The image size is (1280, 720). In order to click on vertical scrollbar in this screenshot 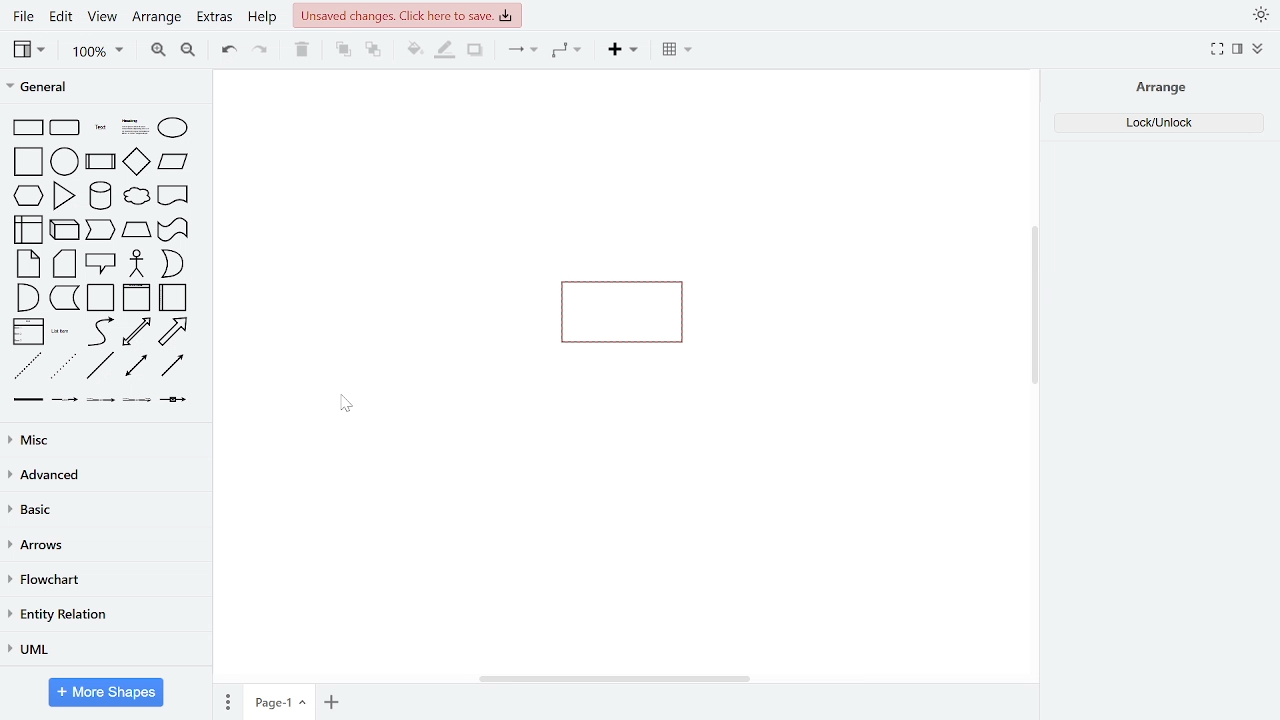, I will do `click(1037, 308)`.